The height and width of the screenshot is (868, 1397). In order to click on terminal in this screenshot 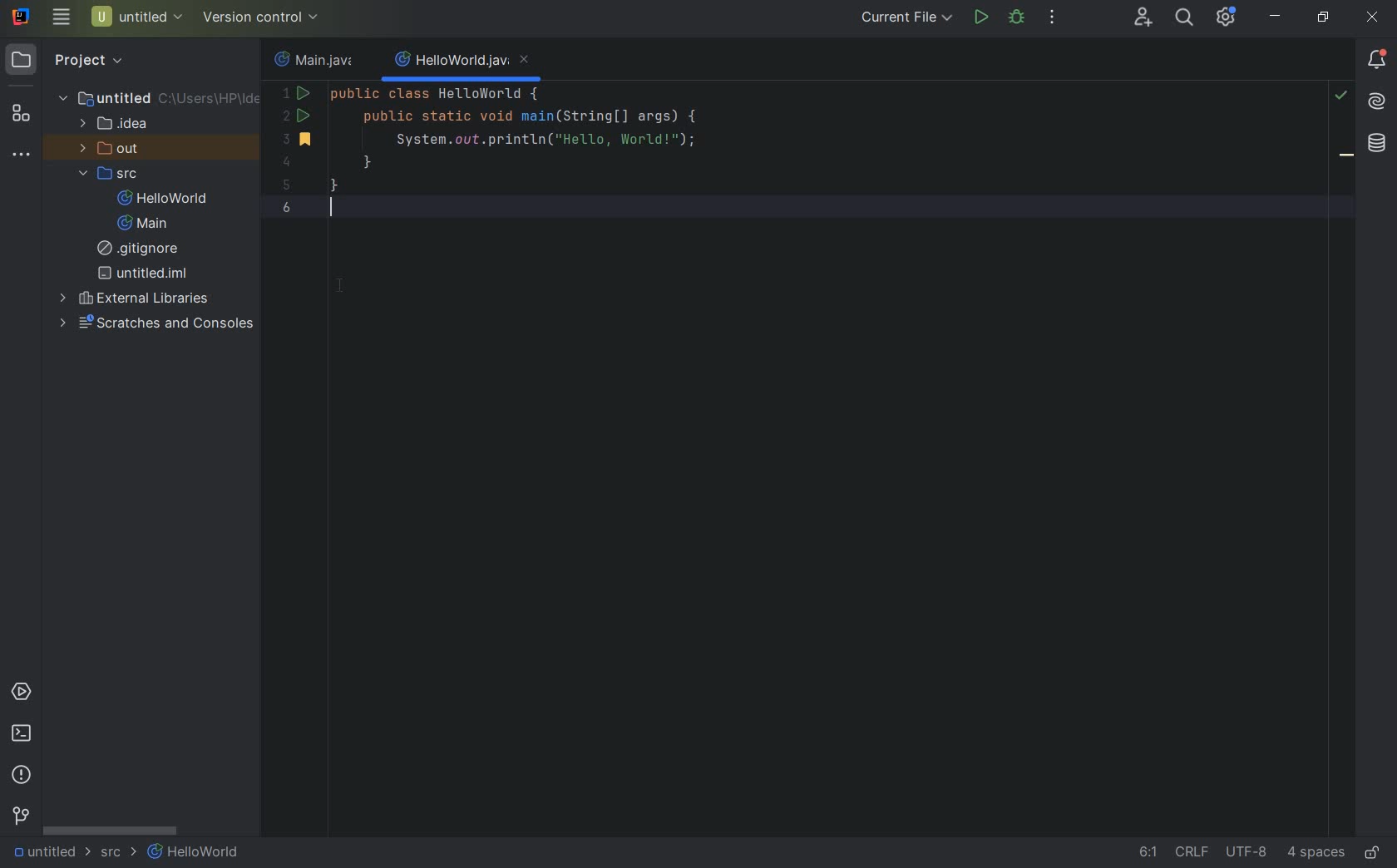, I will do `click(22, 734)`.